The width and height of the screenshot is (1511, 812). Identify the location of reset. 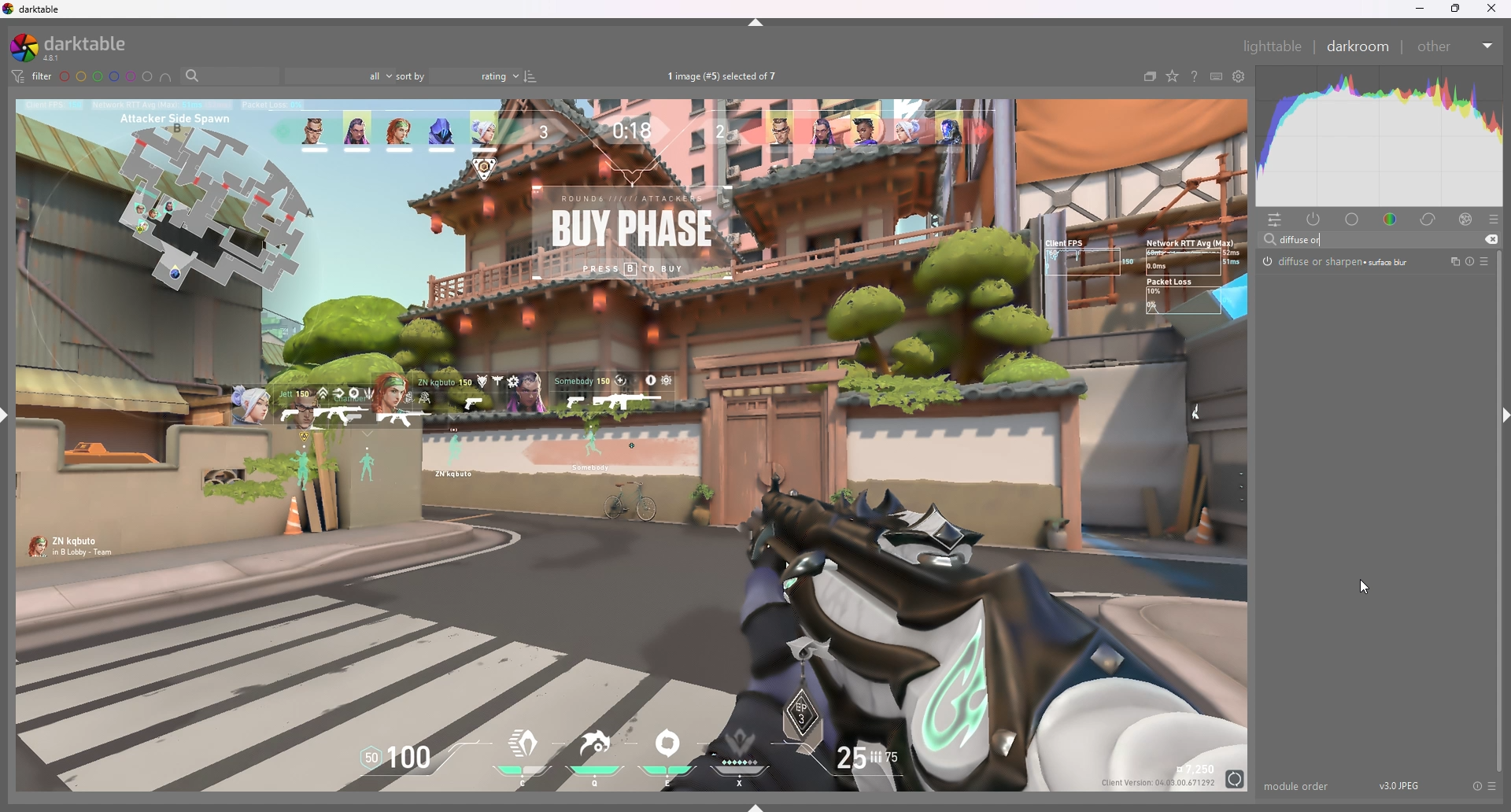
(1476, 785).